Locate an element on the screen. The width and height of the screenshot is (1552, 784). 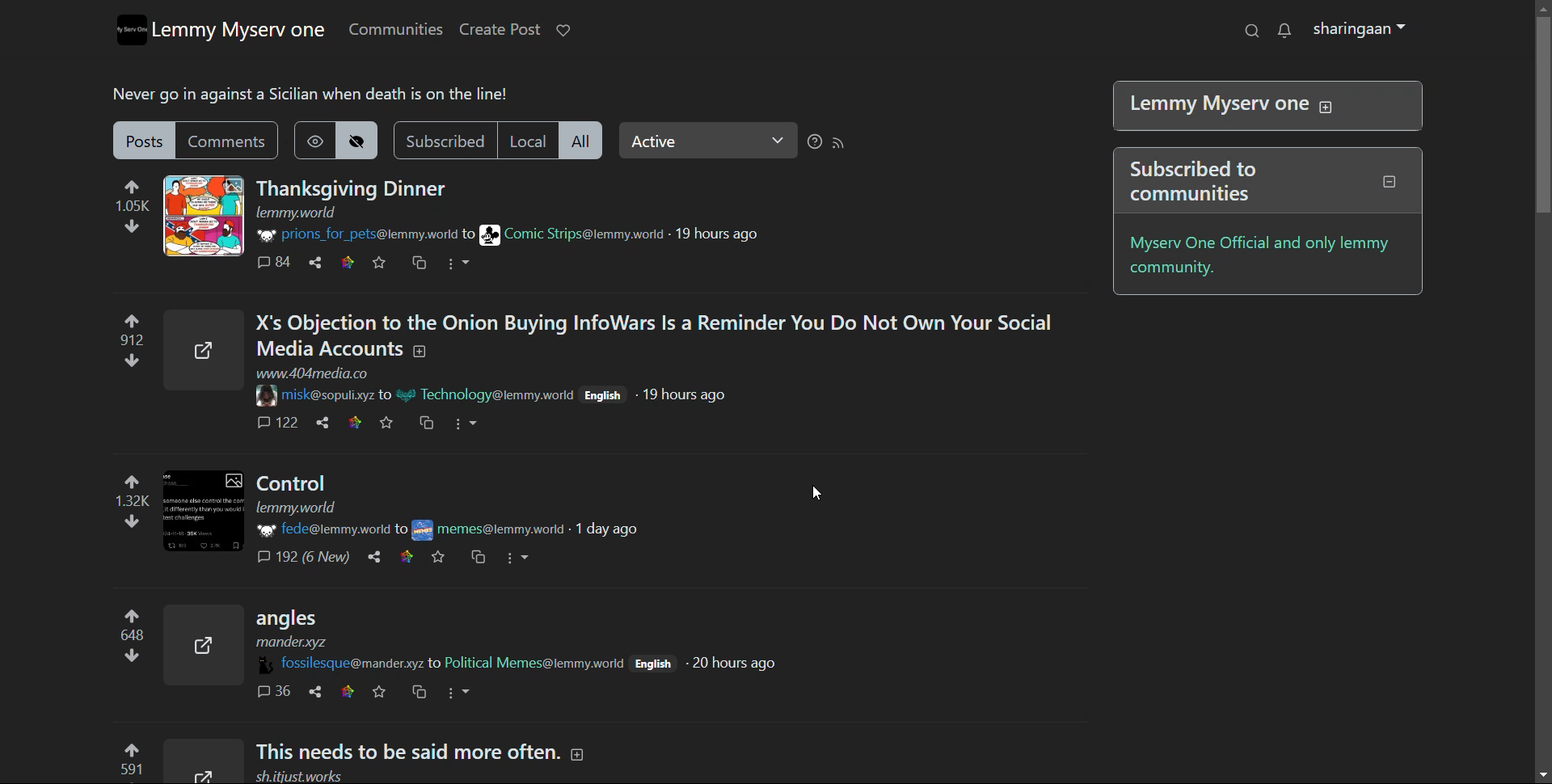
Expand here with this image is located at coordinates (196, 762).